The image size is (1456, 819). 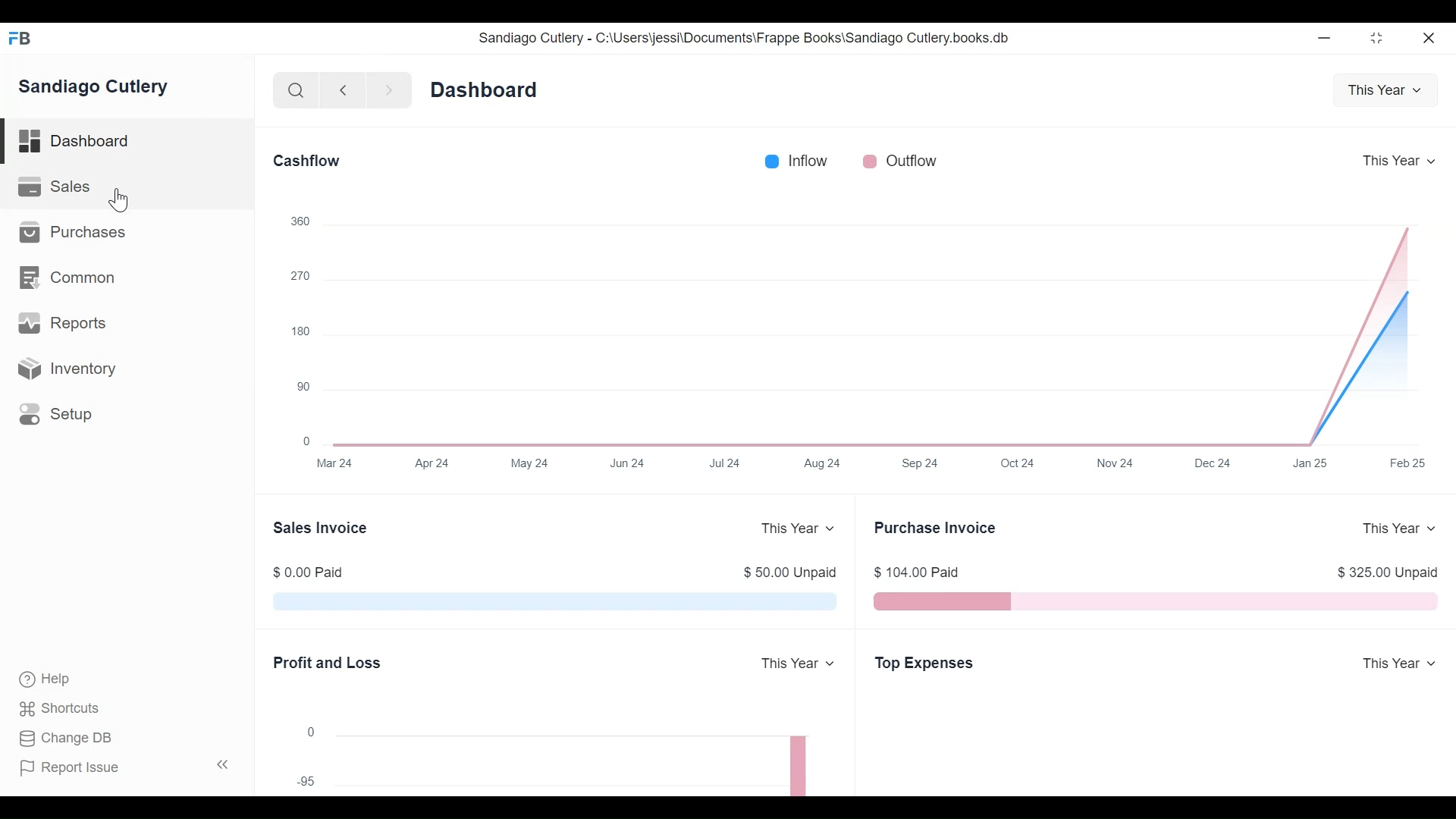 I want to click on Navigate Back, so click(x=340, y=90).